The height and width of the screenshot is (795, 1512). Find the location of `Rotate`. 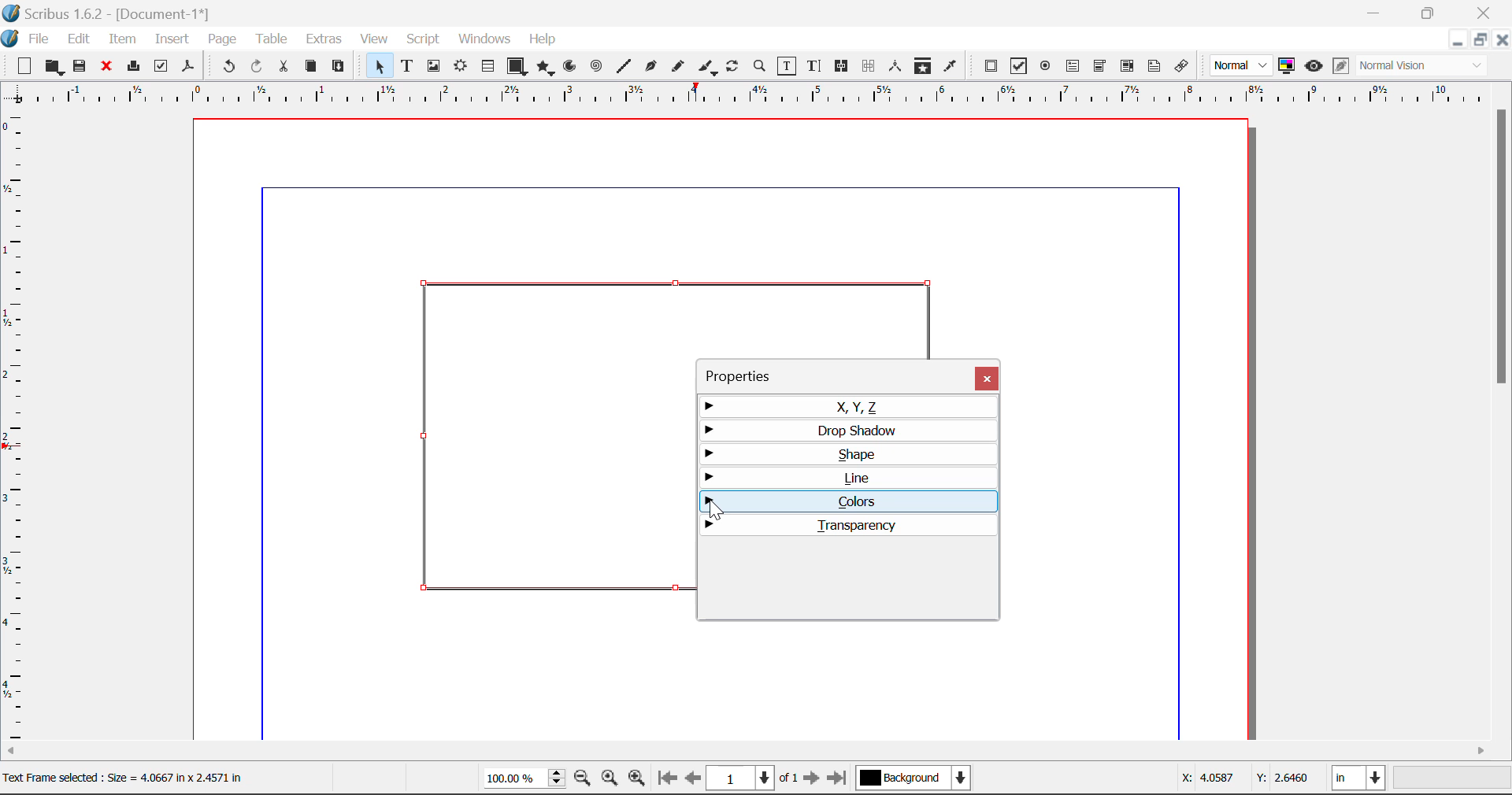

Rotate is located at coordinates (733, 65).